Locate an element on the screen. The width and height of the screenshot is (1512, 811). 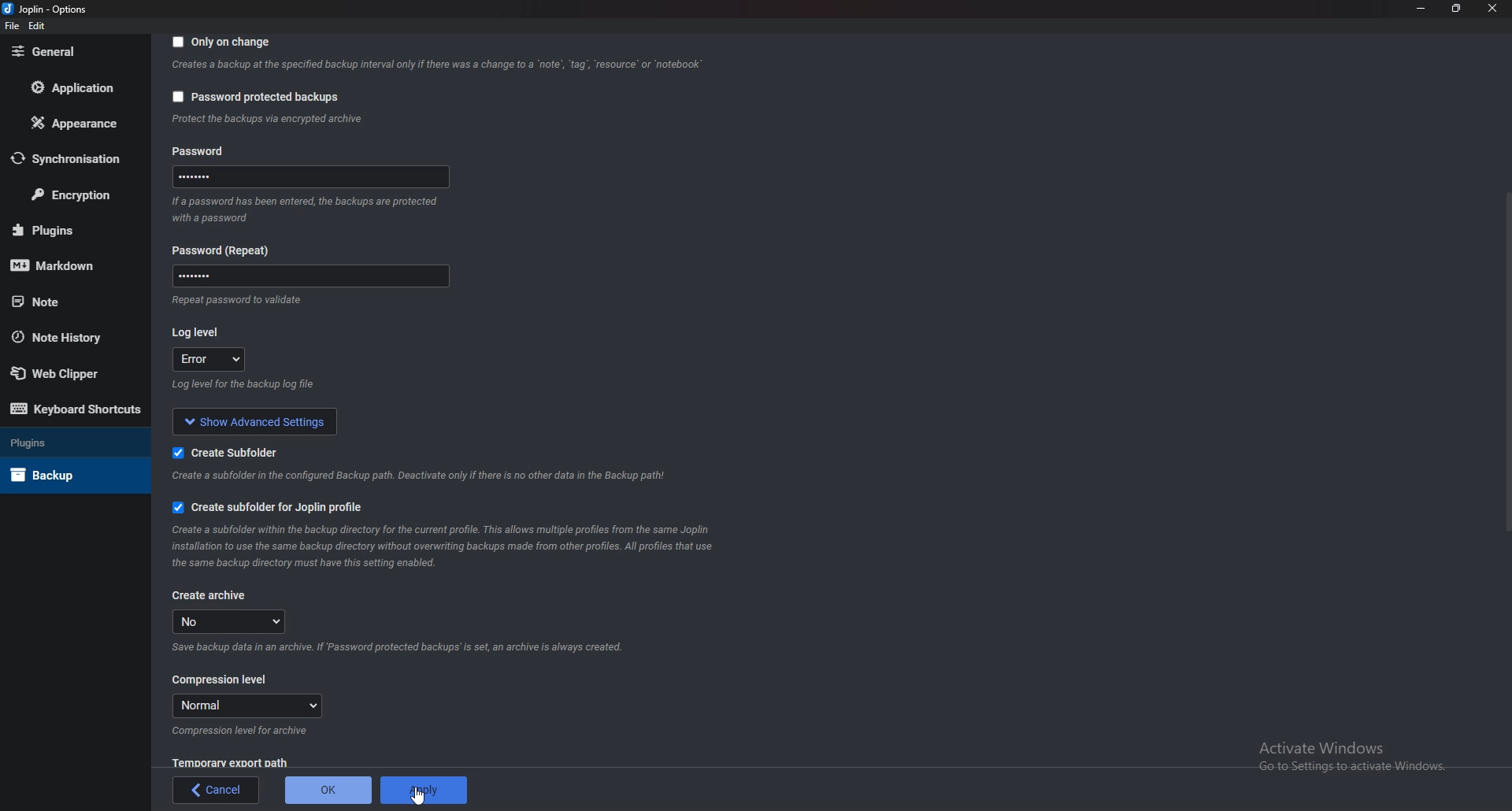
Info is located at coordinates (405, 646).